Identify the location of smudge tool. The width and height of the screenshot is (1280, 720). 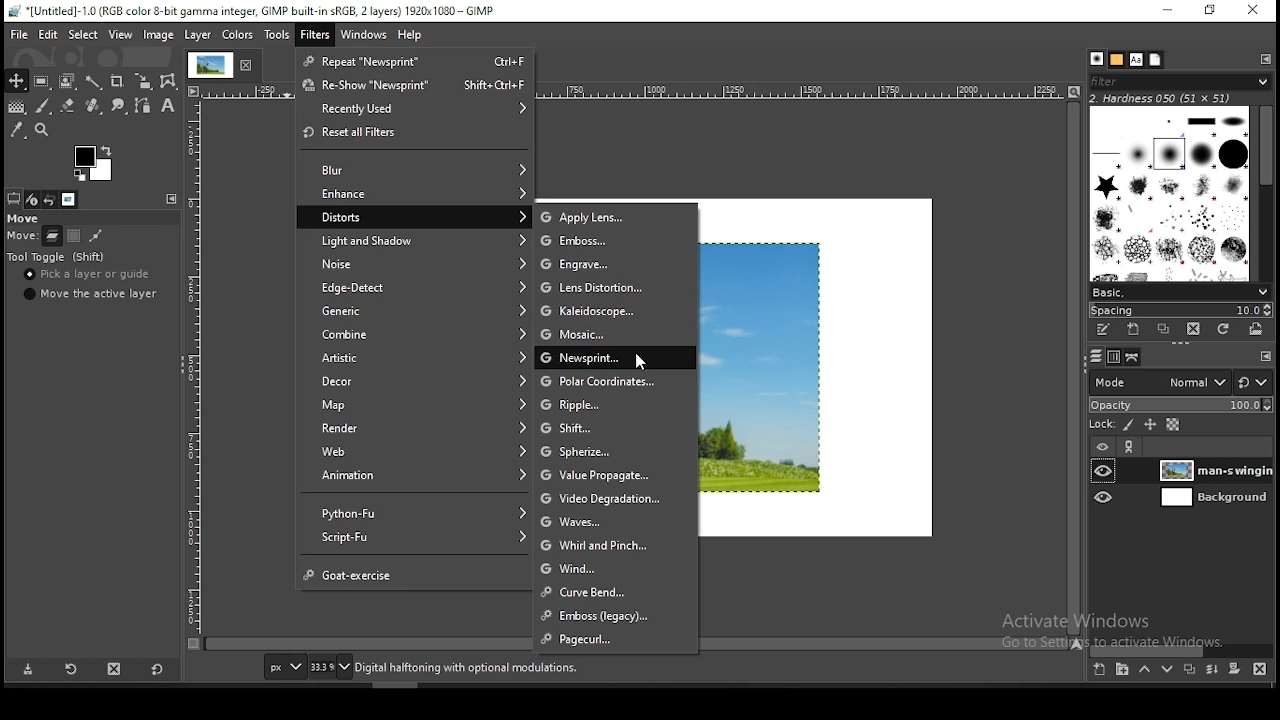
(119, 105).